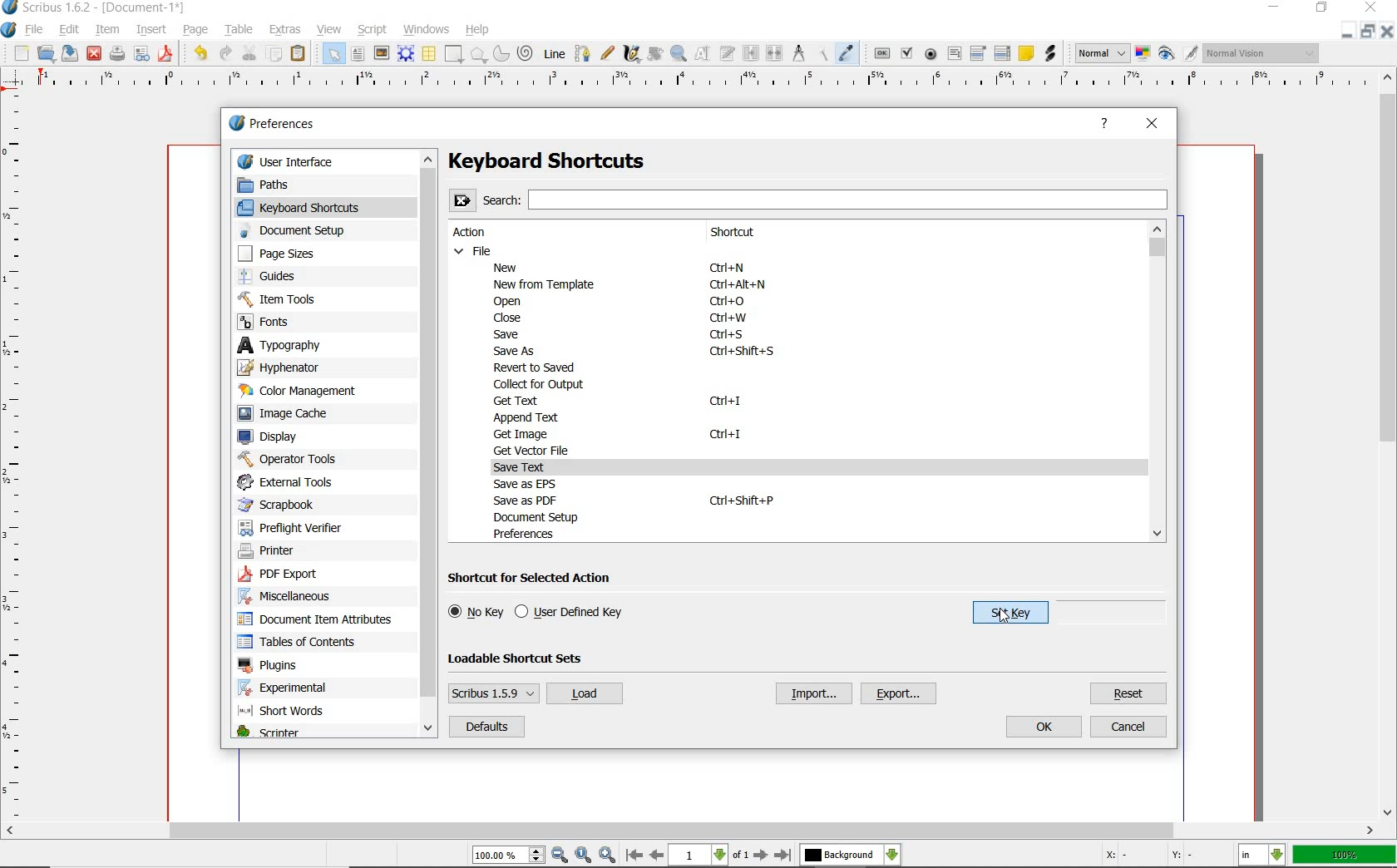 The image size is (1397, 868). Describe the element at coordinates (1142, 55) in the screenshot. I see `toggle color management` at that location.